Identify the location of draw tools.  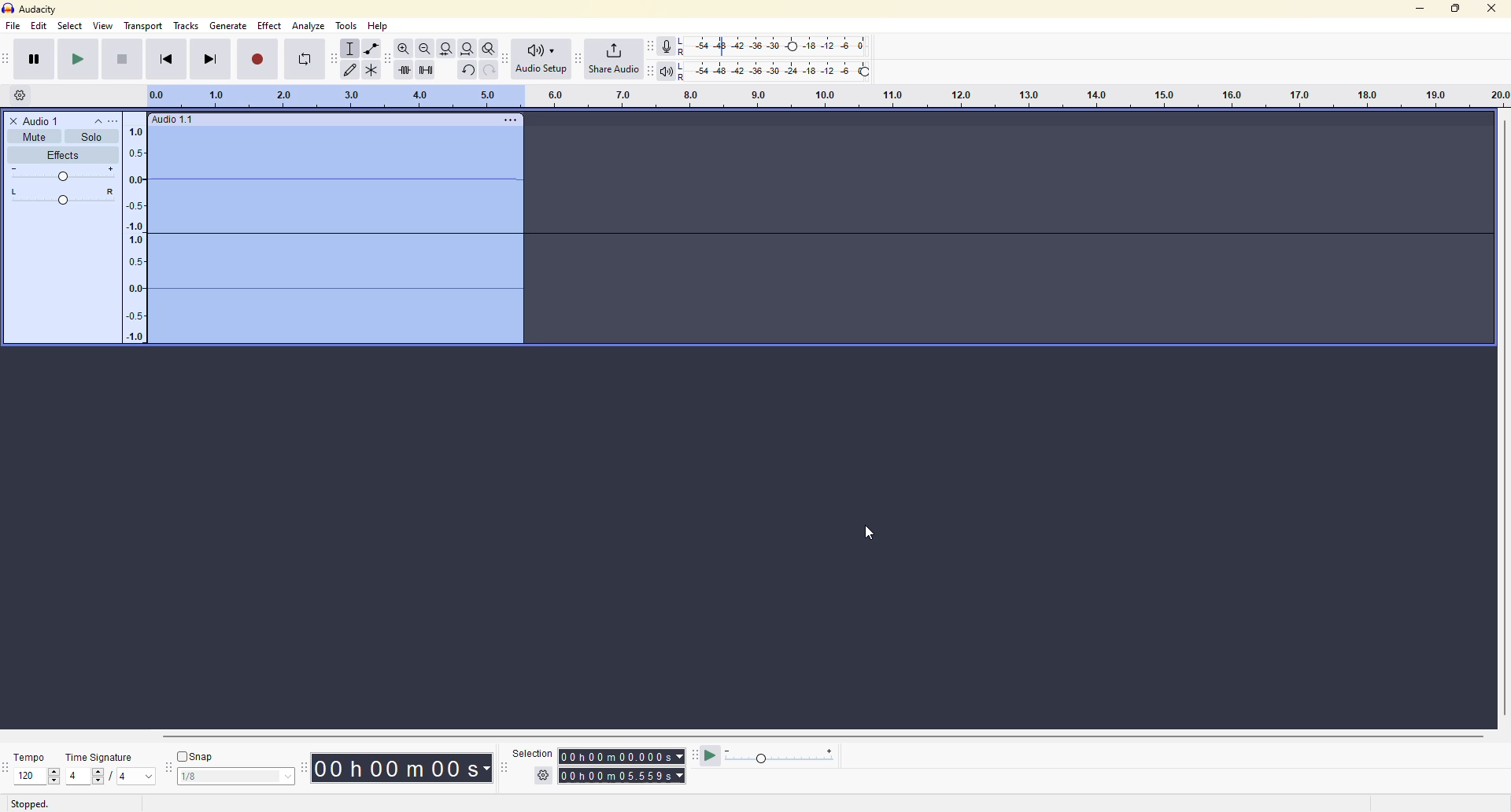
(352, 69).